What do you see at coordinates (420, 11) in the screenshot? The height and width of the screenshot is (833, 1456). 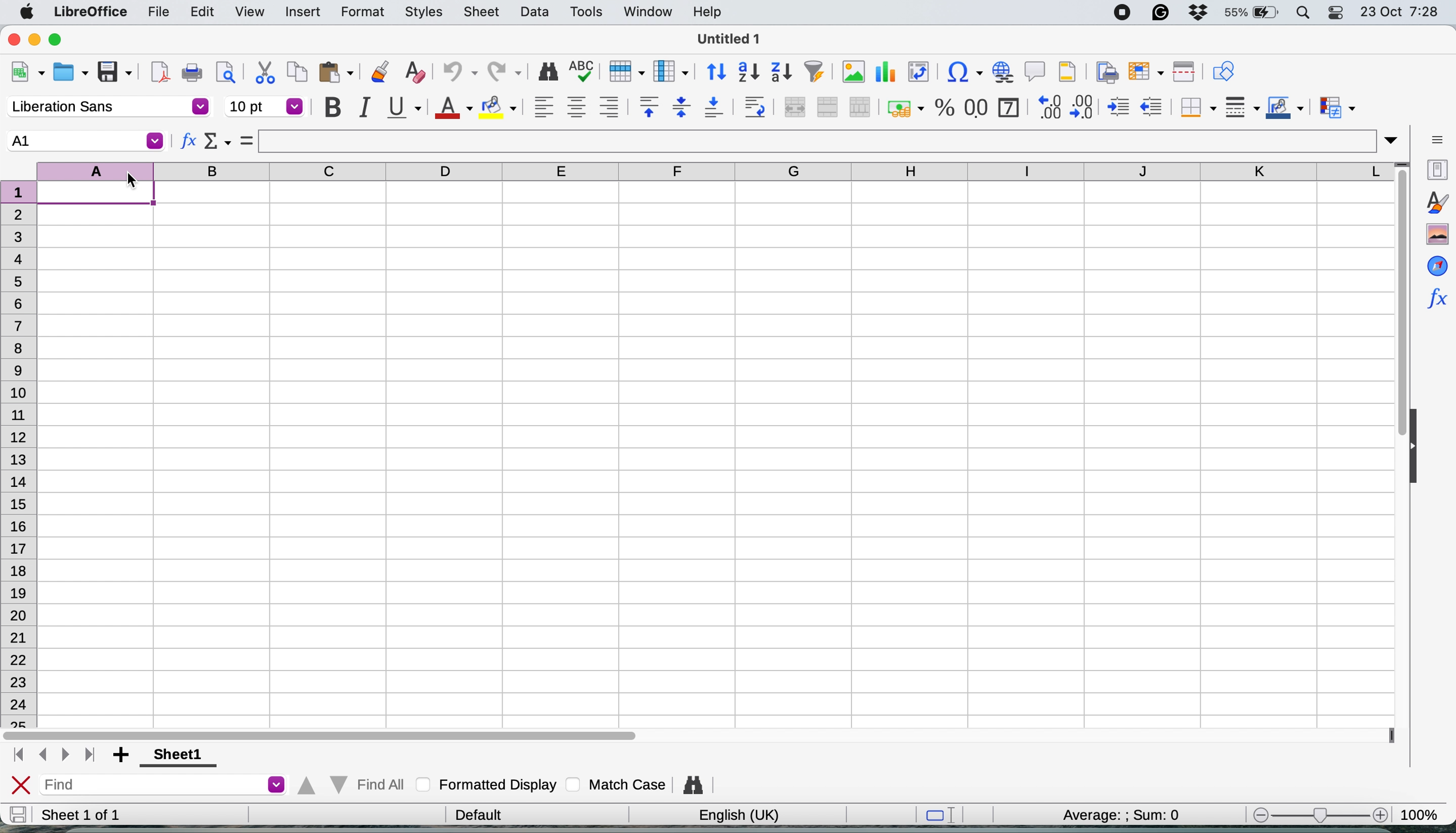 I see `styles` at bounding box center [420, 11].